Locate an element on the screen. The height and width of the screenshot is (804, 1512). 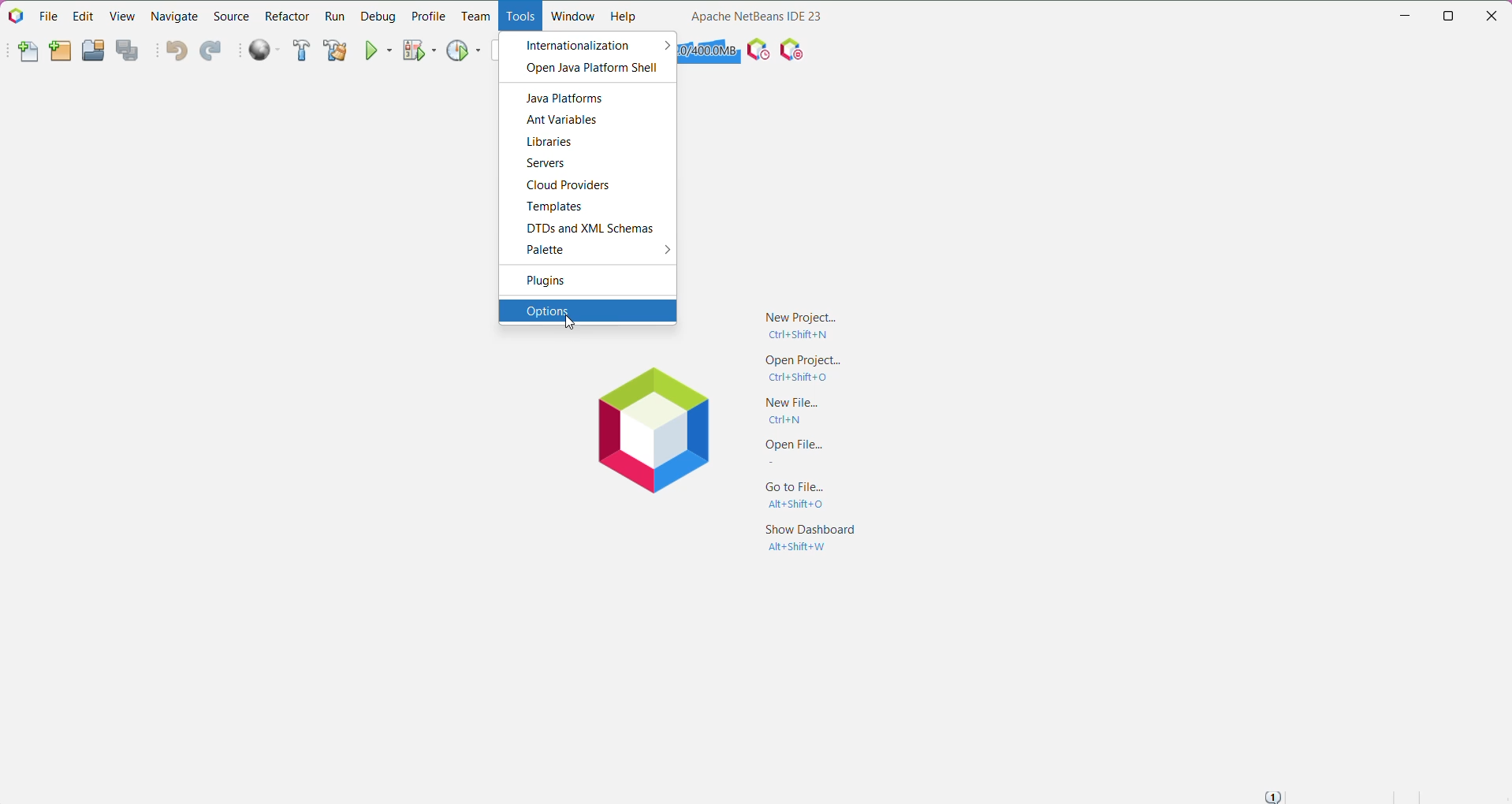
Profile the IDE is located at coordinates (758, 50).